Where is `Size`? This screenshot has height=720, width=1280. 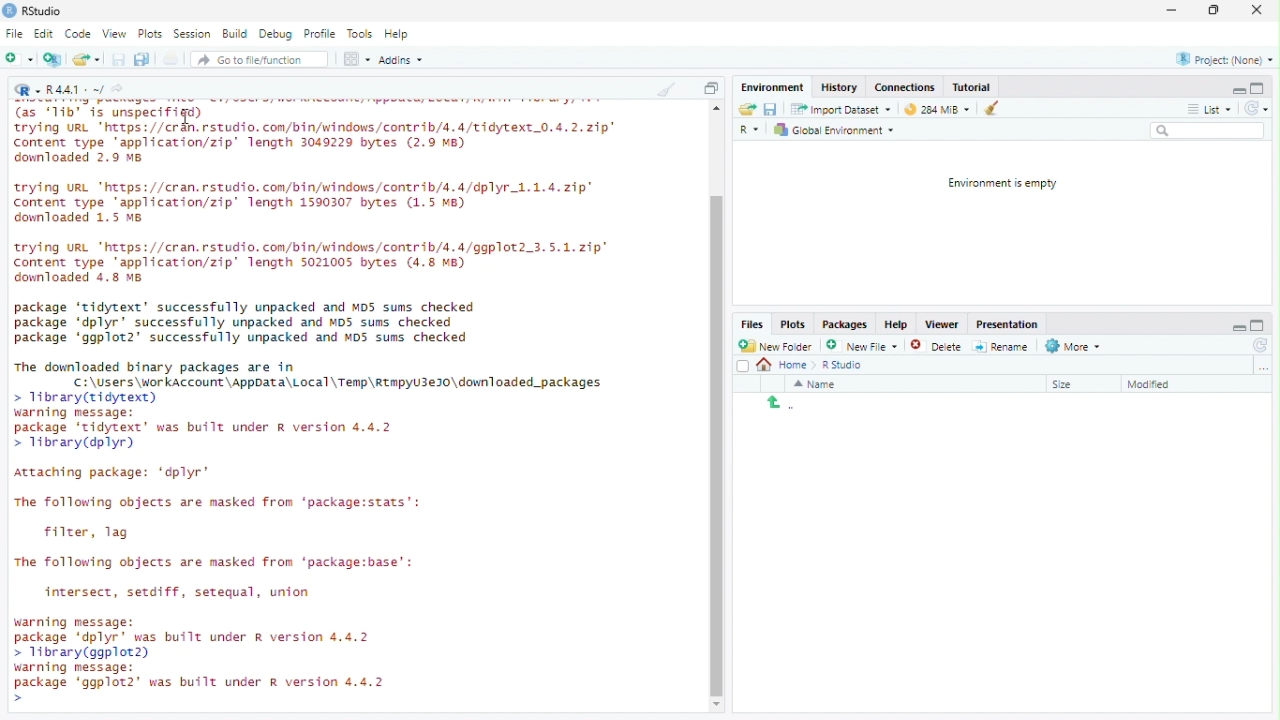
Size is located at coordinates (1065, 385).